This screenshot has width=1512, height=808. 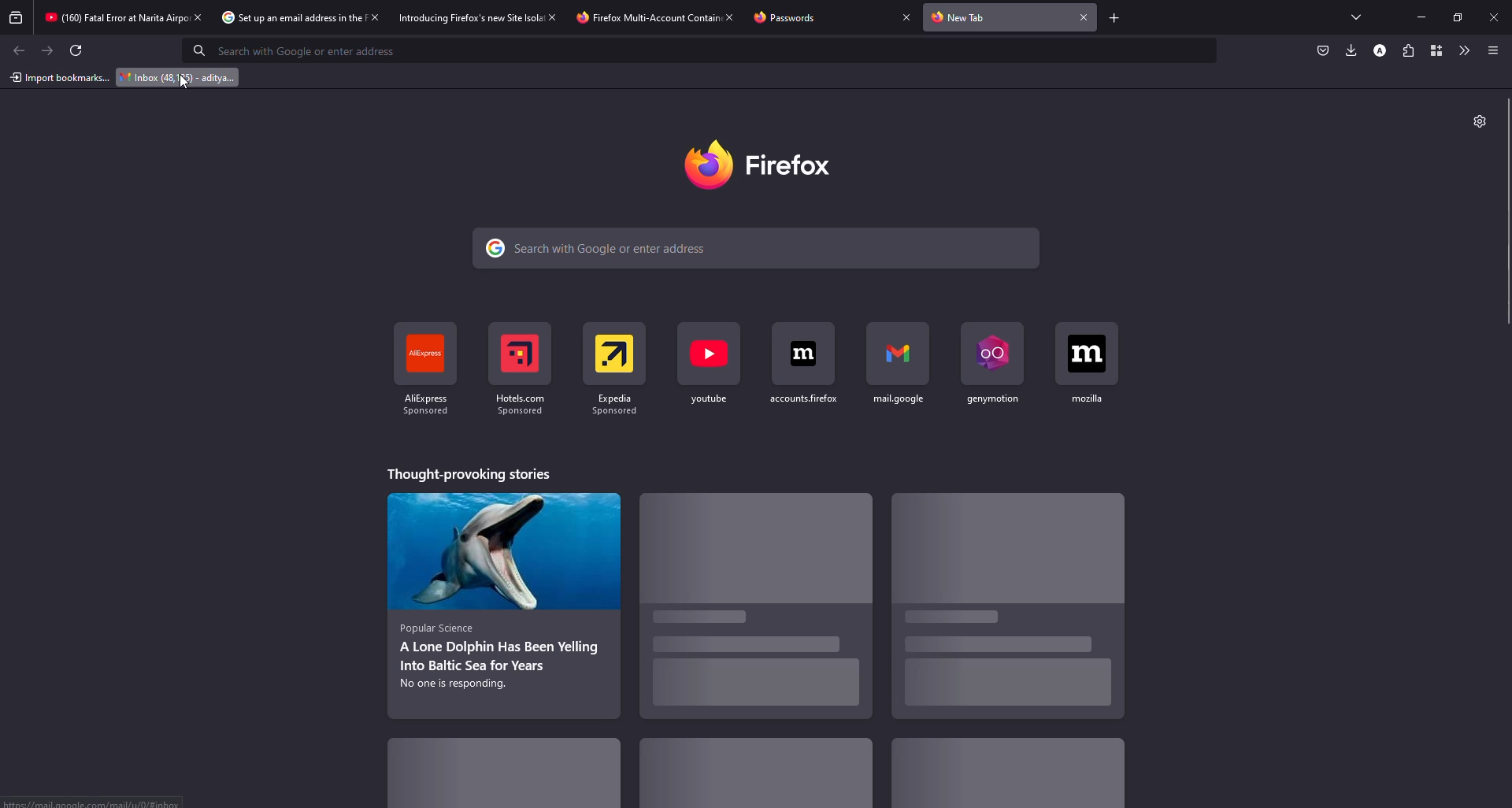 I want to click on save to pocket, so click(x=1321, y=50).